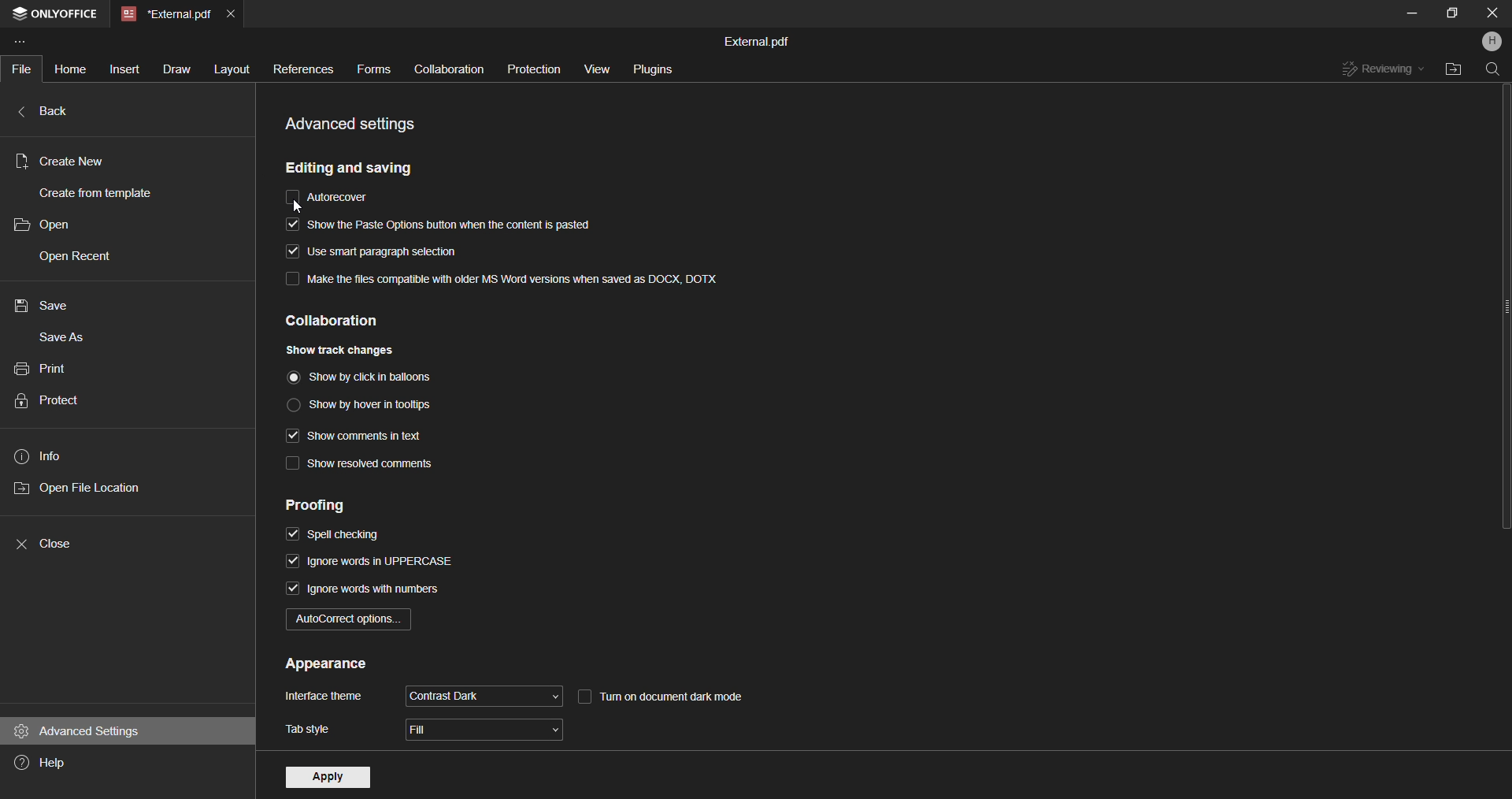 The height and width of the screenshot is (799, 1512). What do you see at coordinates (46, 366) in the screenshot?
I see `print` at bounding box center [46, 366].